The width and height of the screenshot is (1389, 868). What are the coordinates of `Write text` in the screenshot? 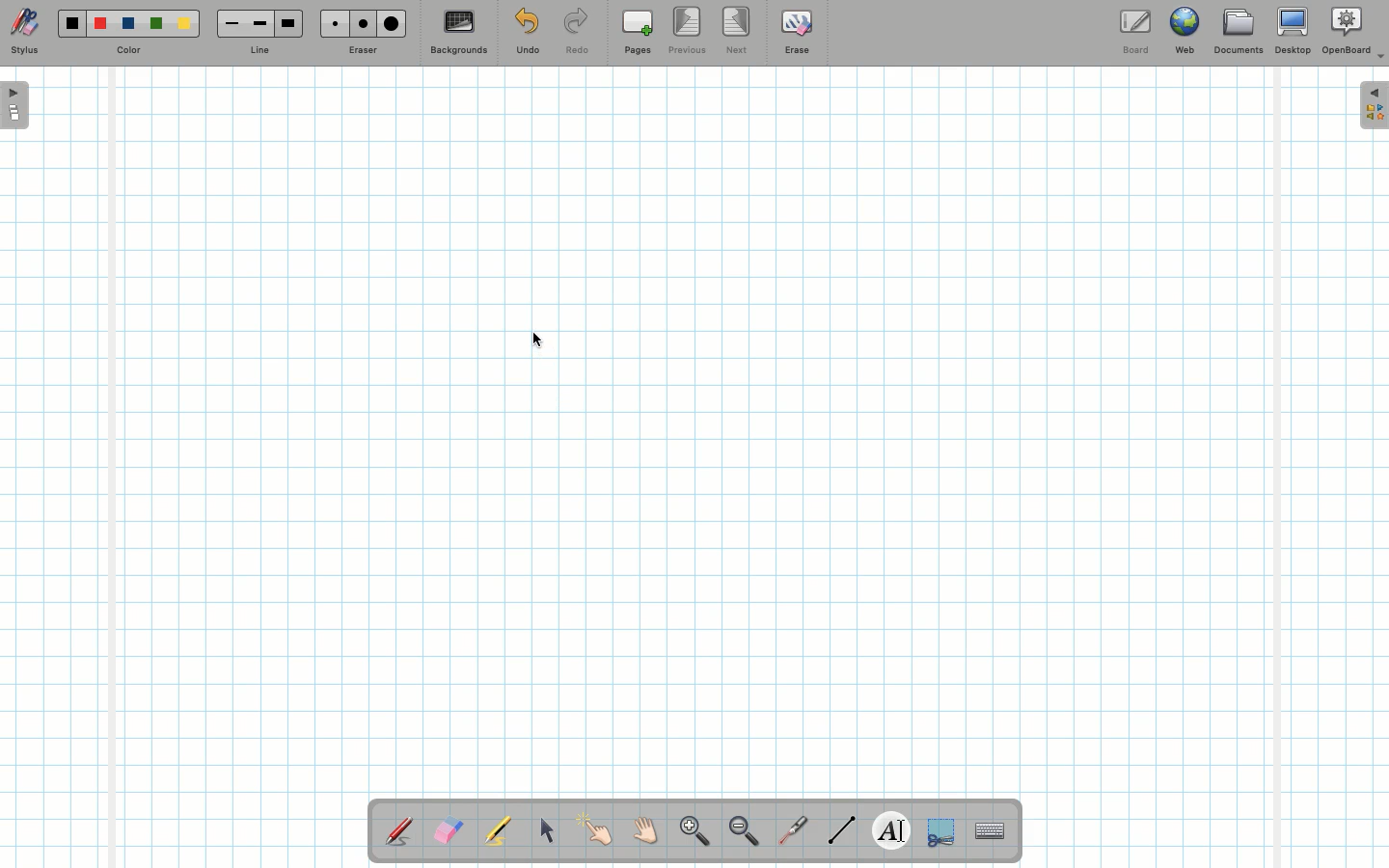 It's located at (893, 827).